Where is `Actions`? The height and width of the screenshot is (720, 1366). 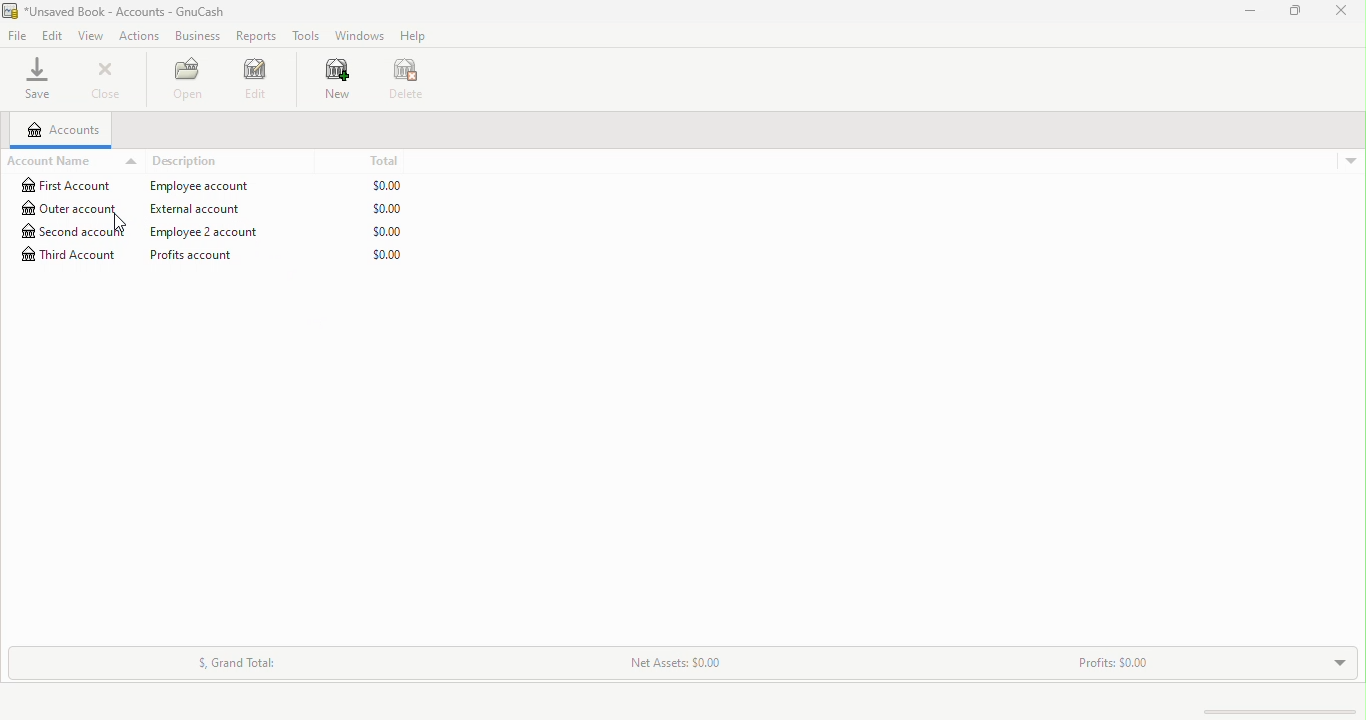 Actions is located at coordinates (139, 36).